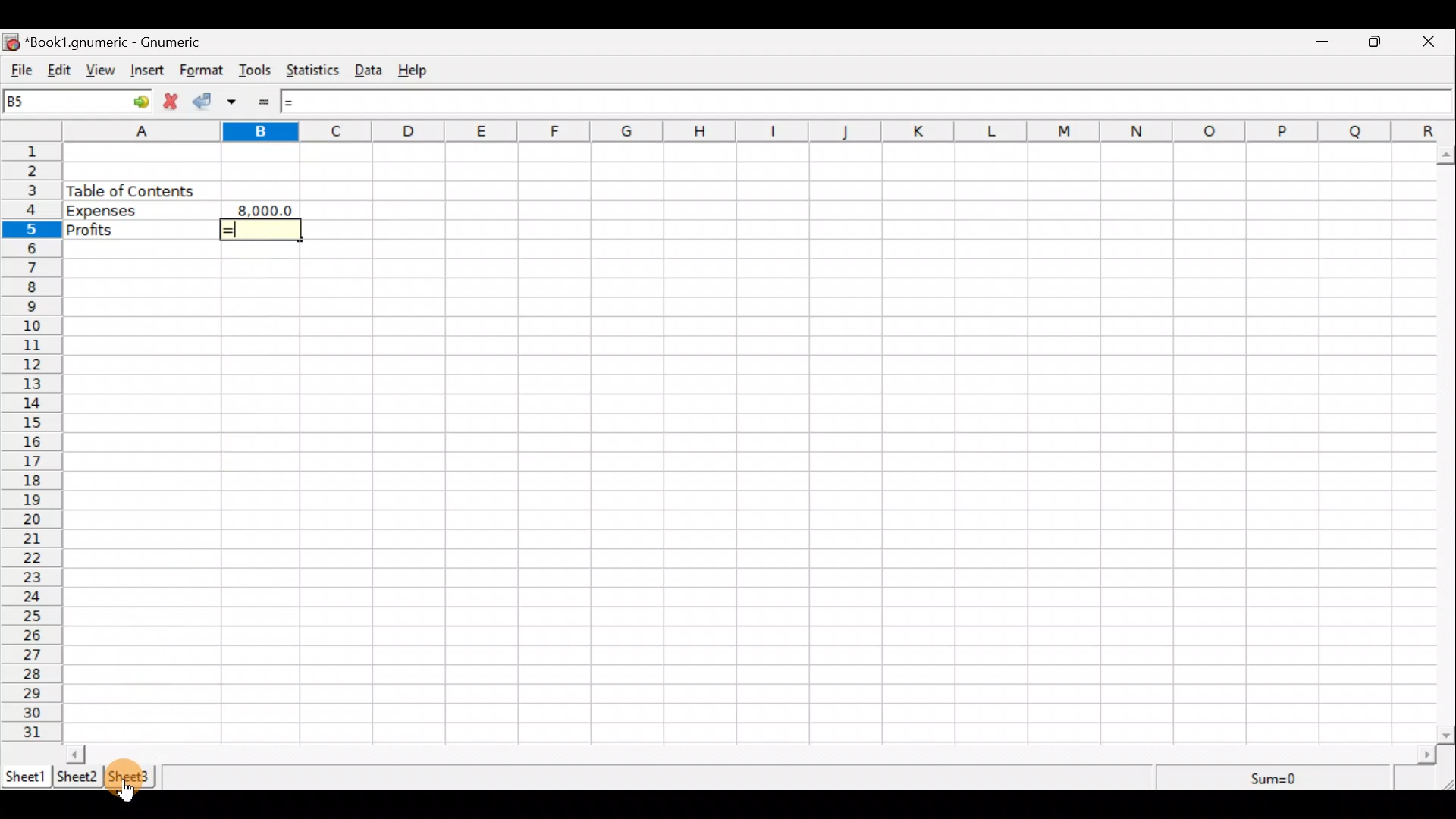  Describe the element at coordinates (752, 754) in the screenshot. I see `Scroll bar` at that location.